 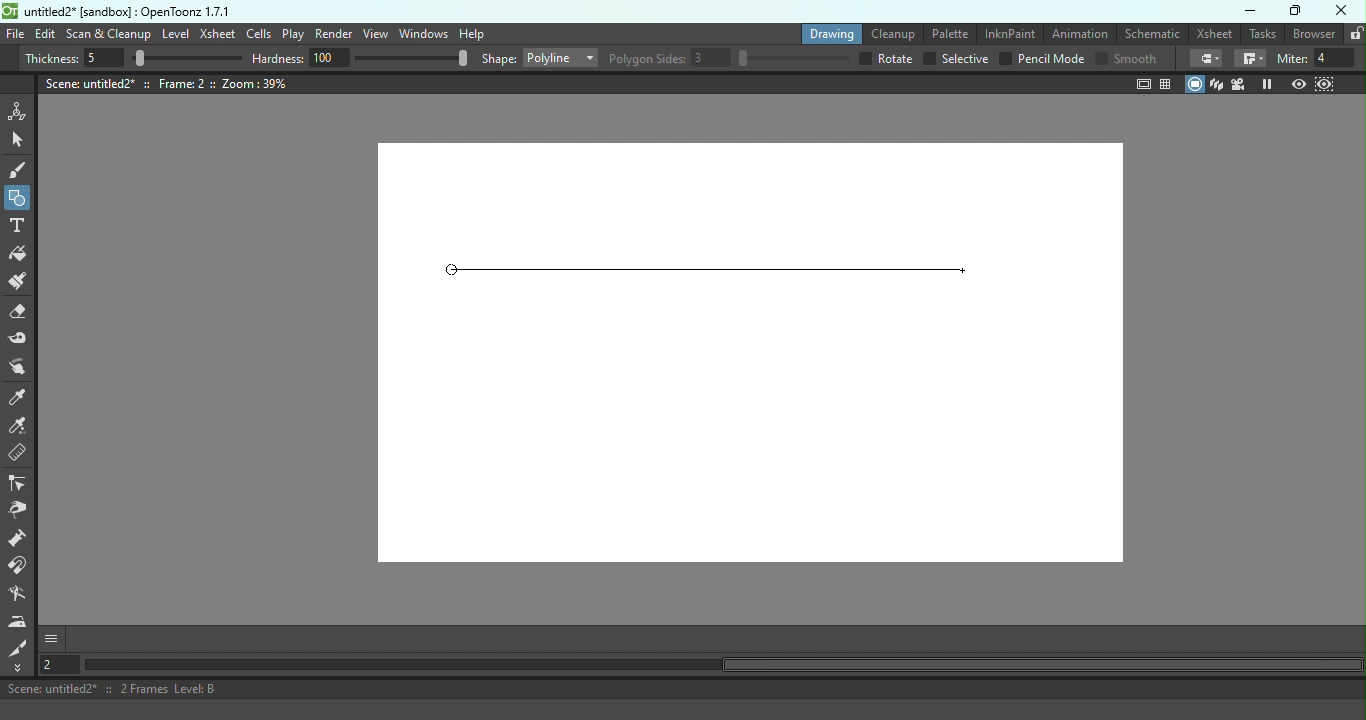 I want to click on Palette, so click(x=946, y=34).